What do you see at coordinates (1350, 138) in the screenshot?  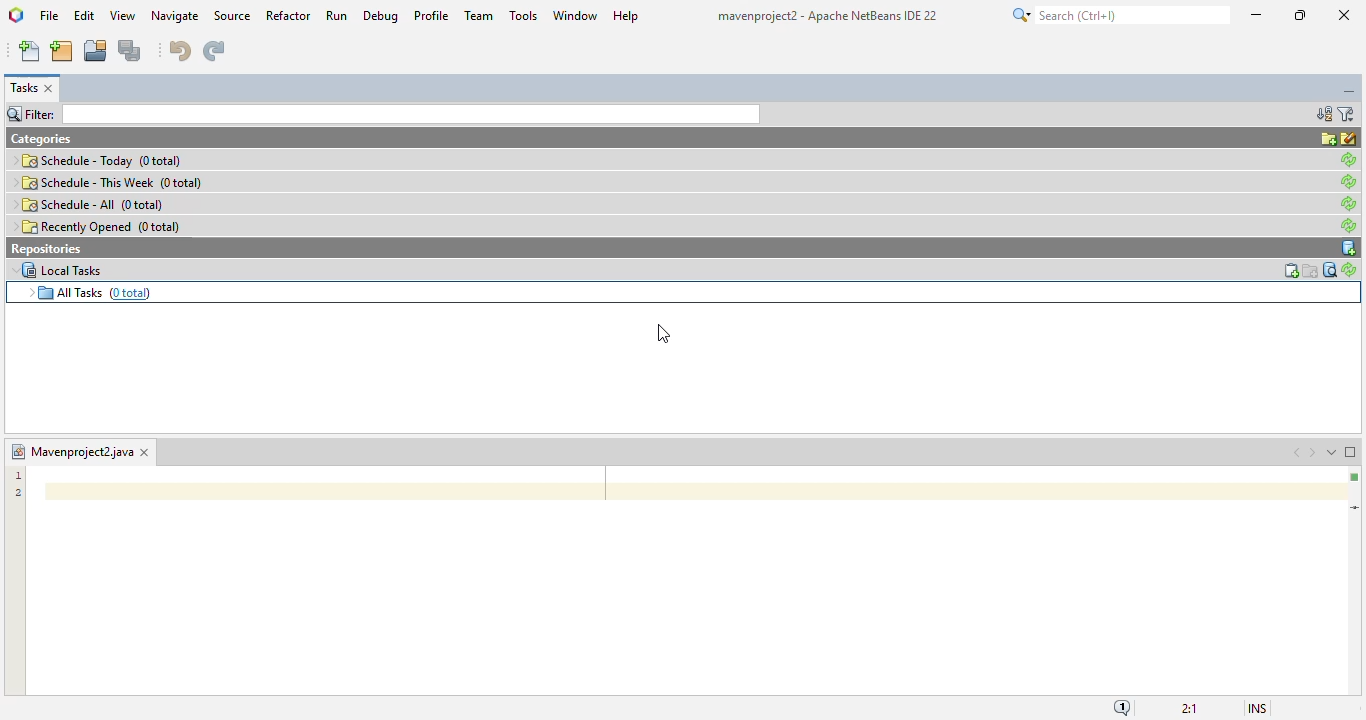 I see `remove all finished tasks from categories` at bounding box center [1350, 138].